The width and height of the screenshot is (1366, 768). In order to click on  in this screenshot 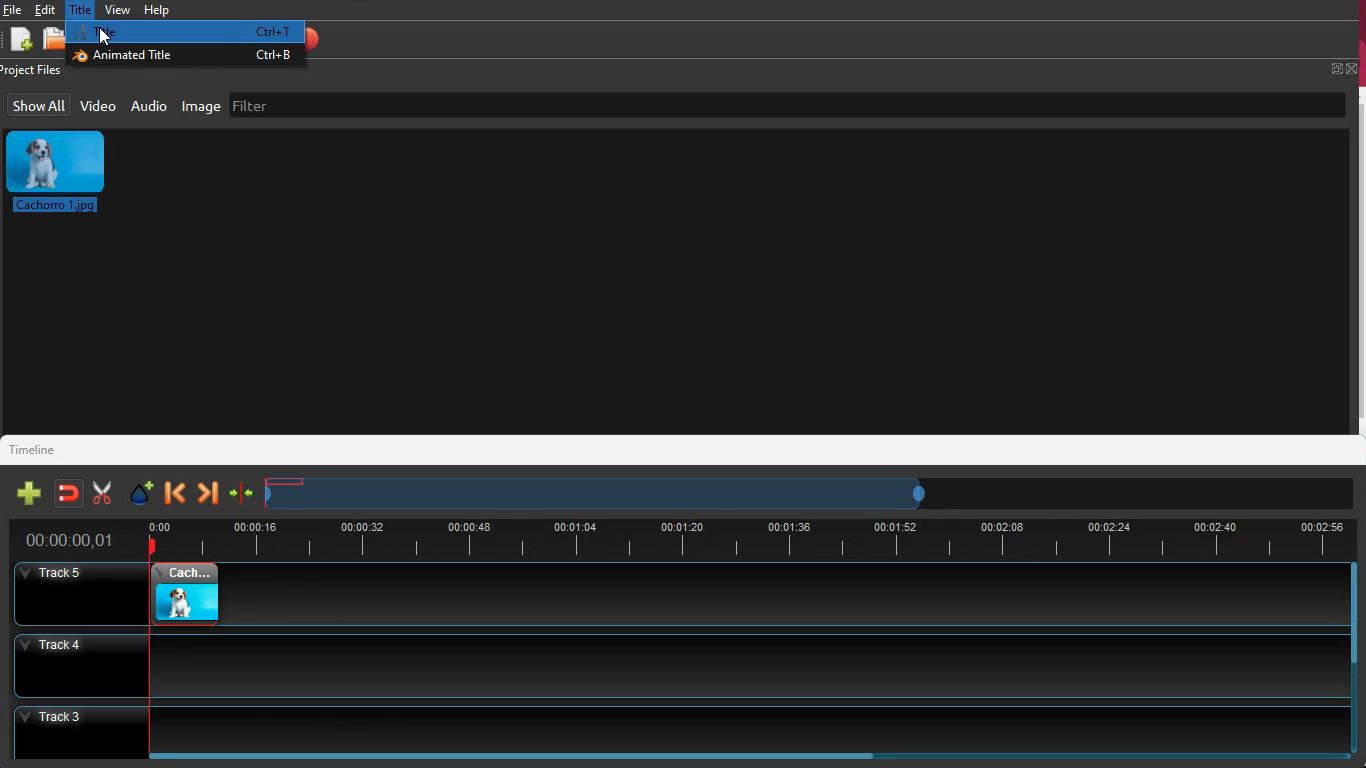, I will do `click(71, 541)`.